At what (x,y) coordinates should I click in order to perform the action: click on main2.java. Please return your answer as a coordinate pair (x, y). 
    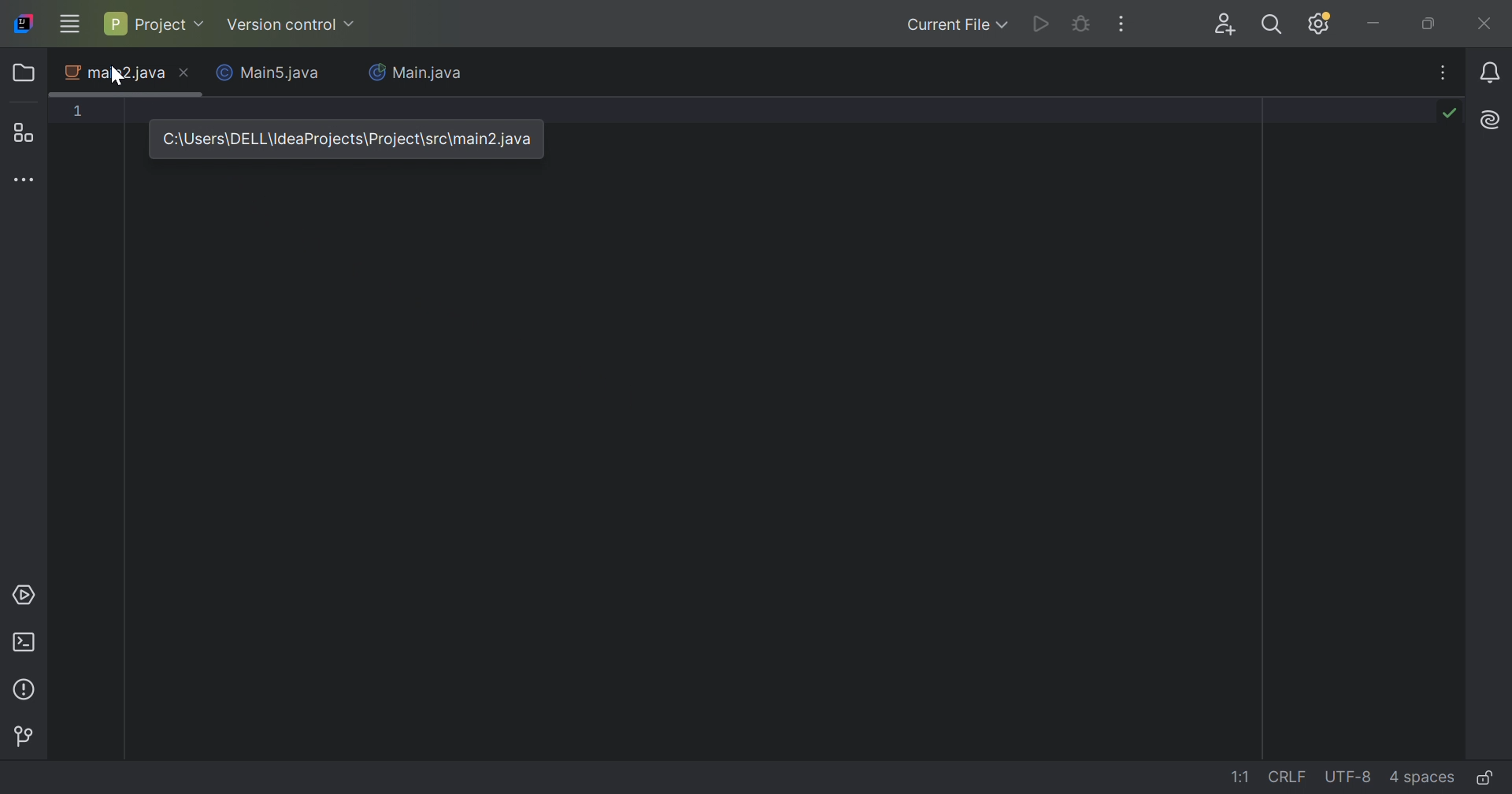
    Looking at the image, I should click on (113, 74).